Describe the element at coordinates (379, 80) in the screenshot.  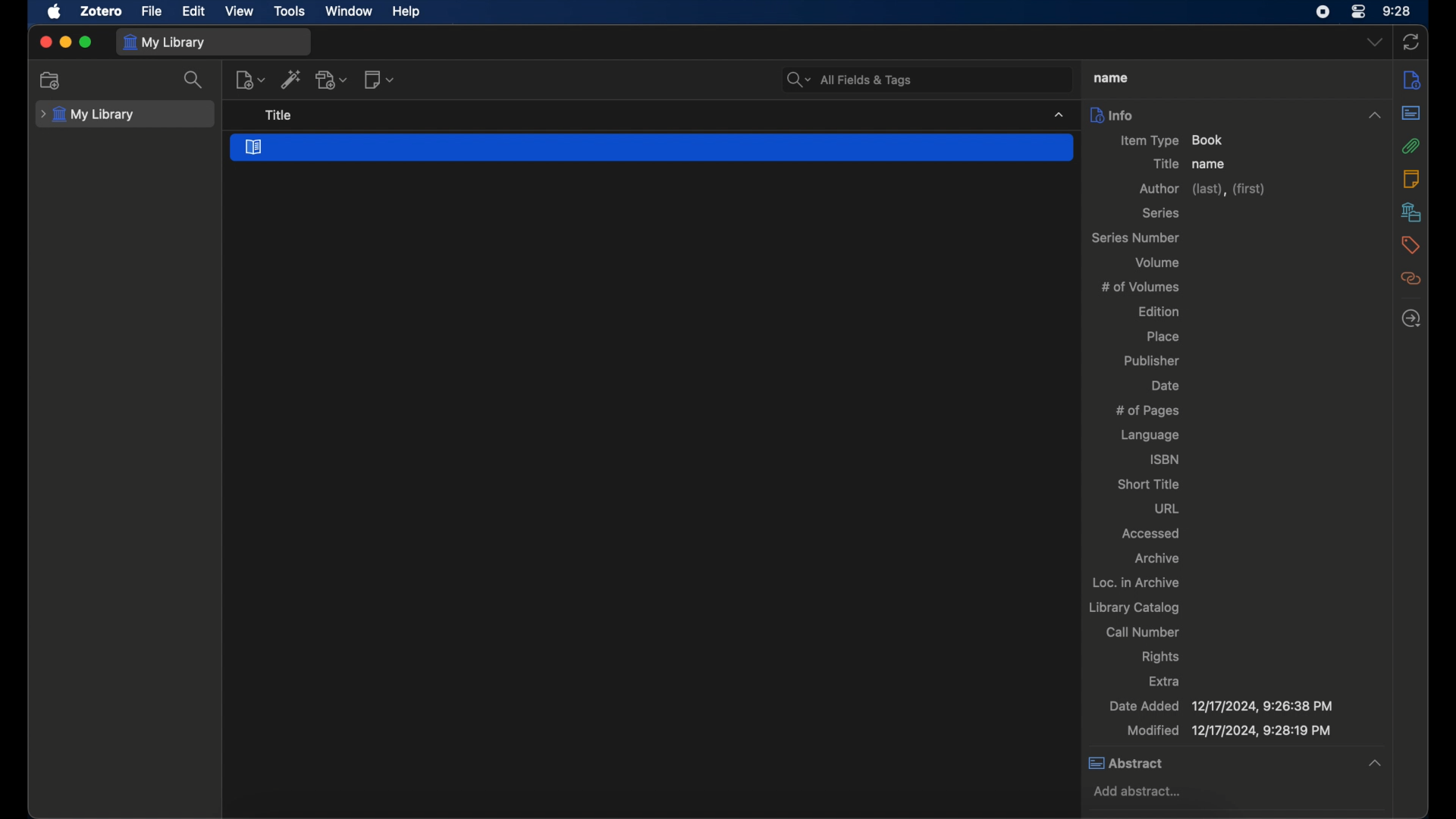
I see `new note` at that location.